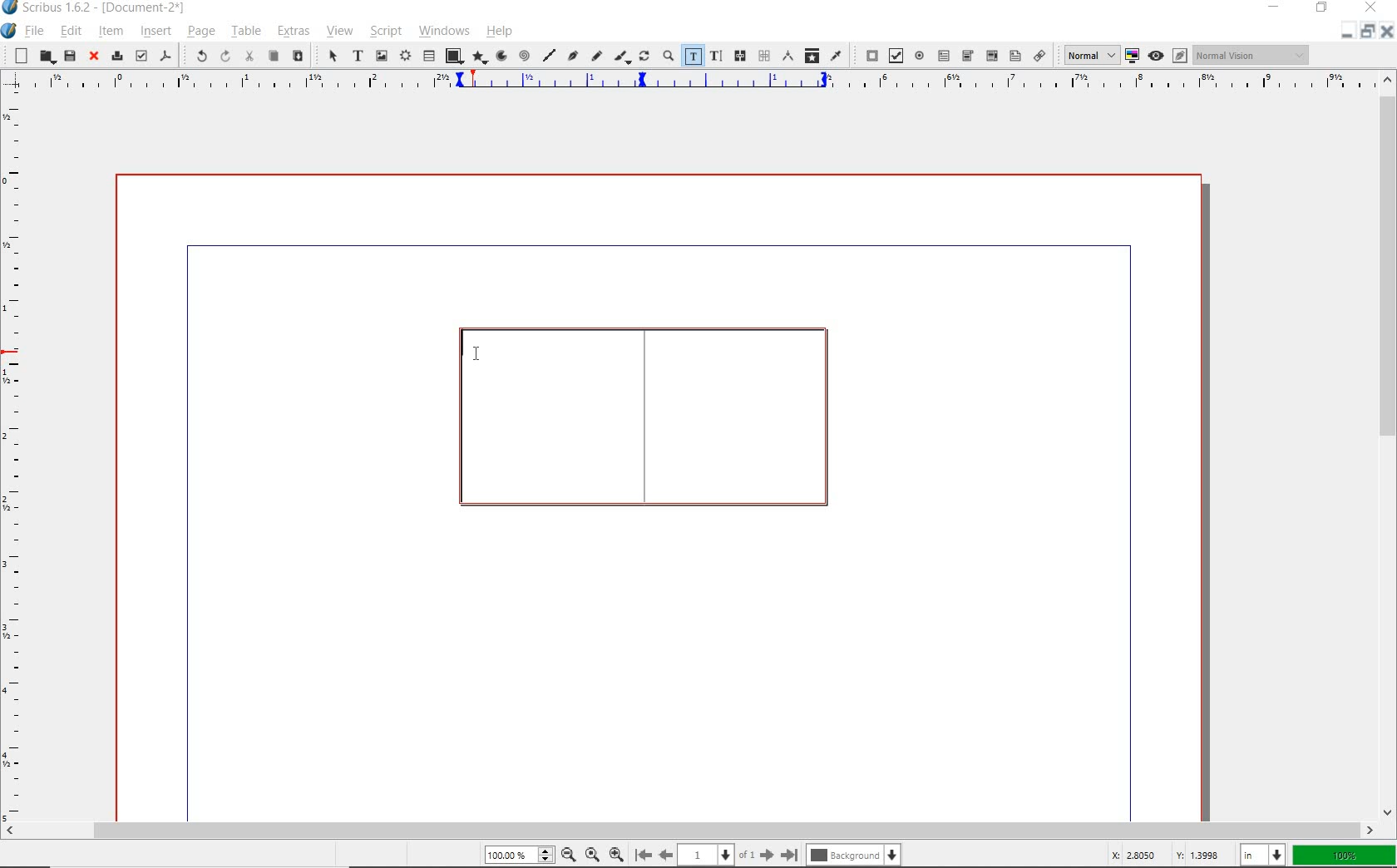  What do you see at coordinates (919, 56) in the screenshot?
I see `pdf radio button` at bounding box center [919, 56].